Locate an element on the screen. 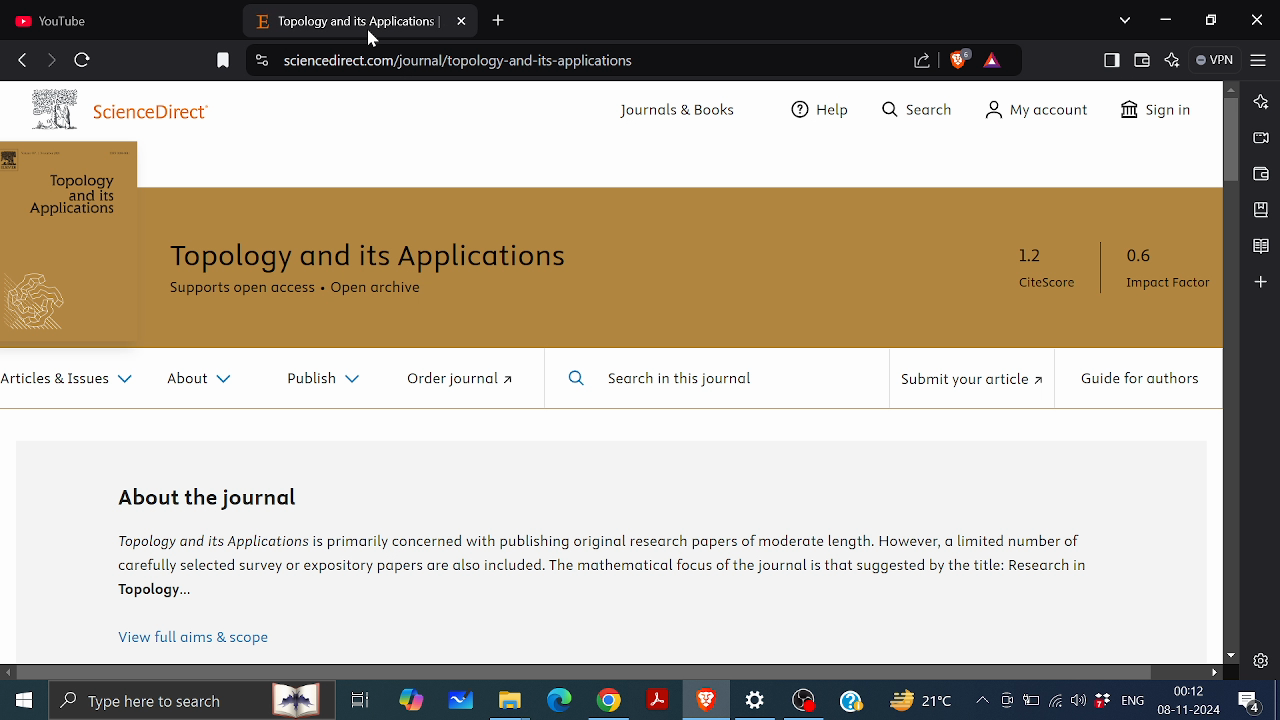 The height and width of the screenshot is (720, 1280). Notifications is located at coordinates (1250, 702).